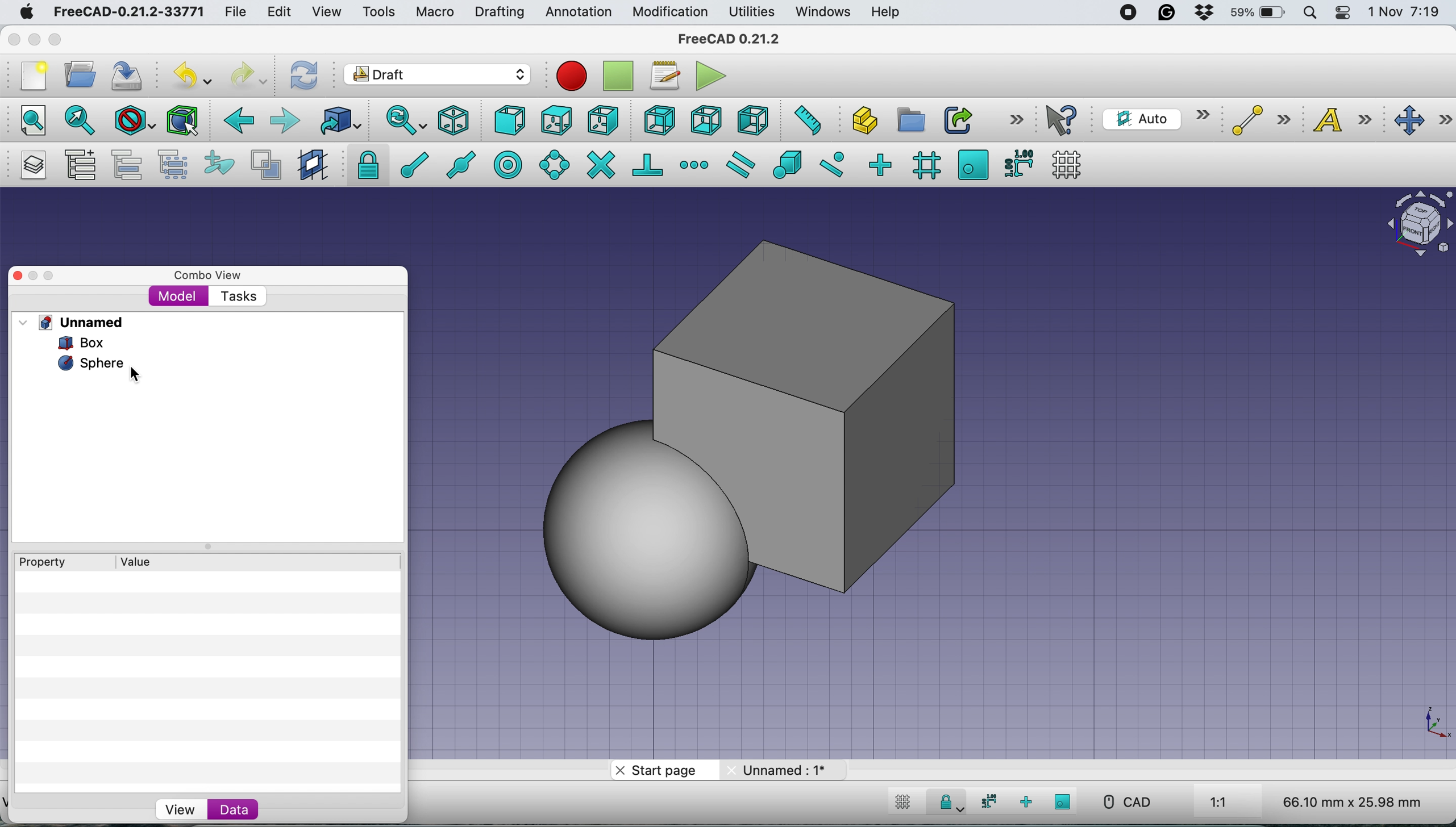  Describe the element at coordinates (658, 120) in the screenshot. I see `rear` at that location.